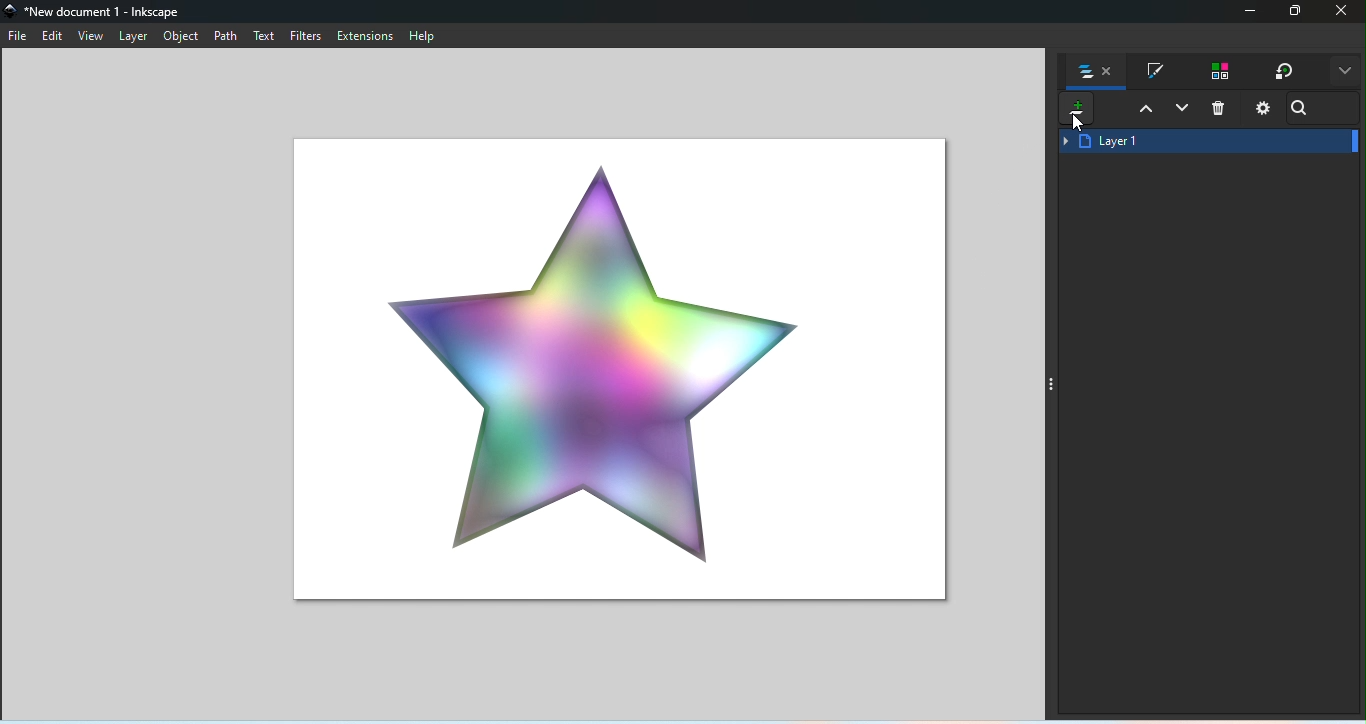 Image resolution: width=1366 pixels, height=724 pixels. Describe the element at coordinates (309, 37) in the screenshot. I see `Filters` at that location.